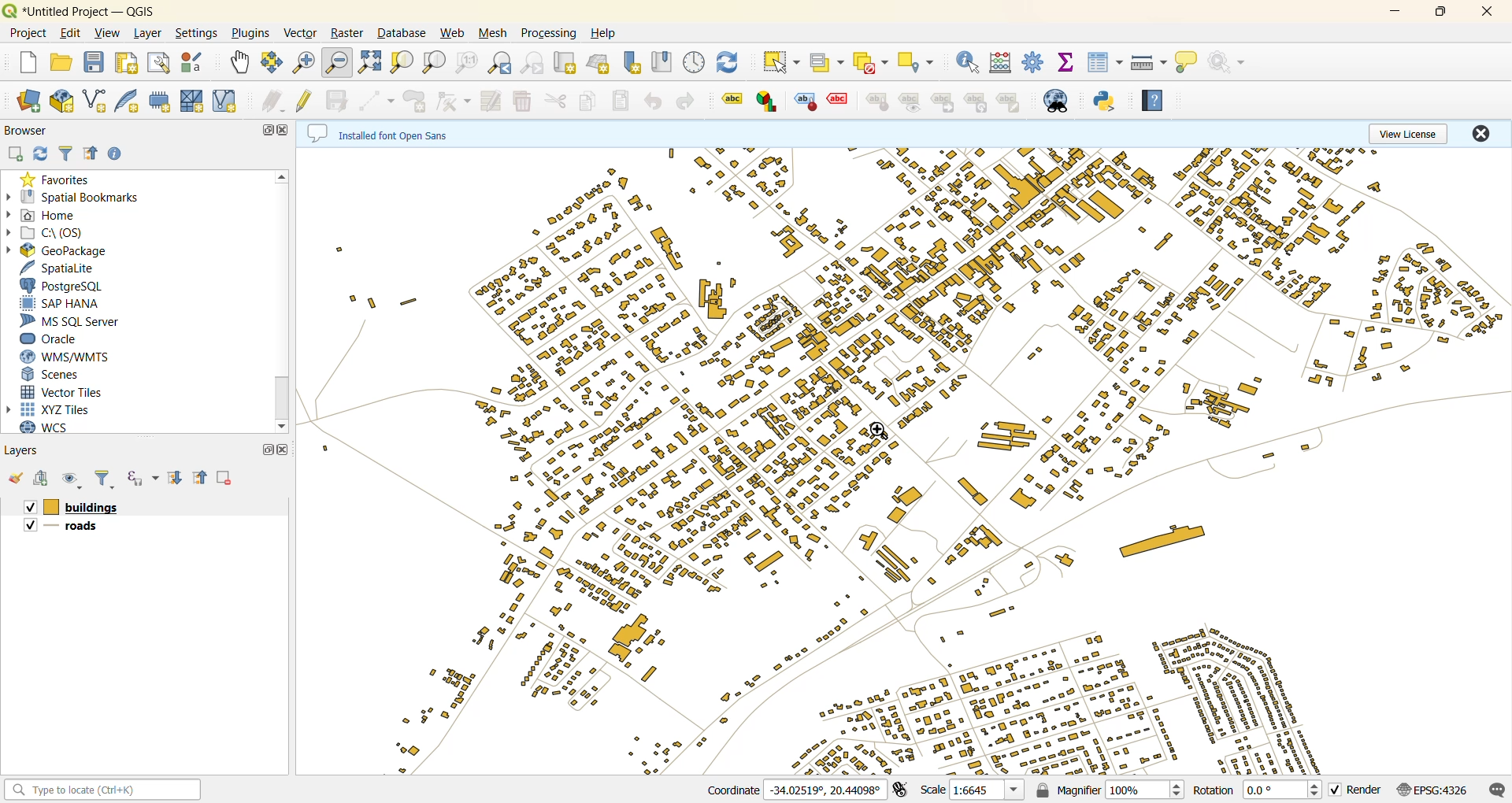 This screenshot has height=803, width=1512. Describe the element at coordinates (55, 409) in the screenshot. I see `xyz tiles` at that location.